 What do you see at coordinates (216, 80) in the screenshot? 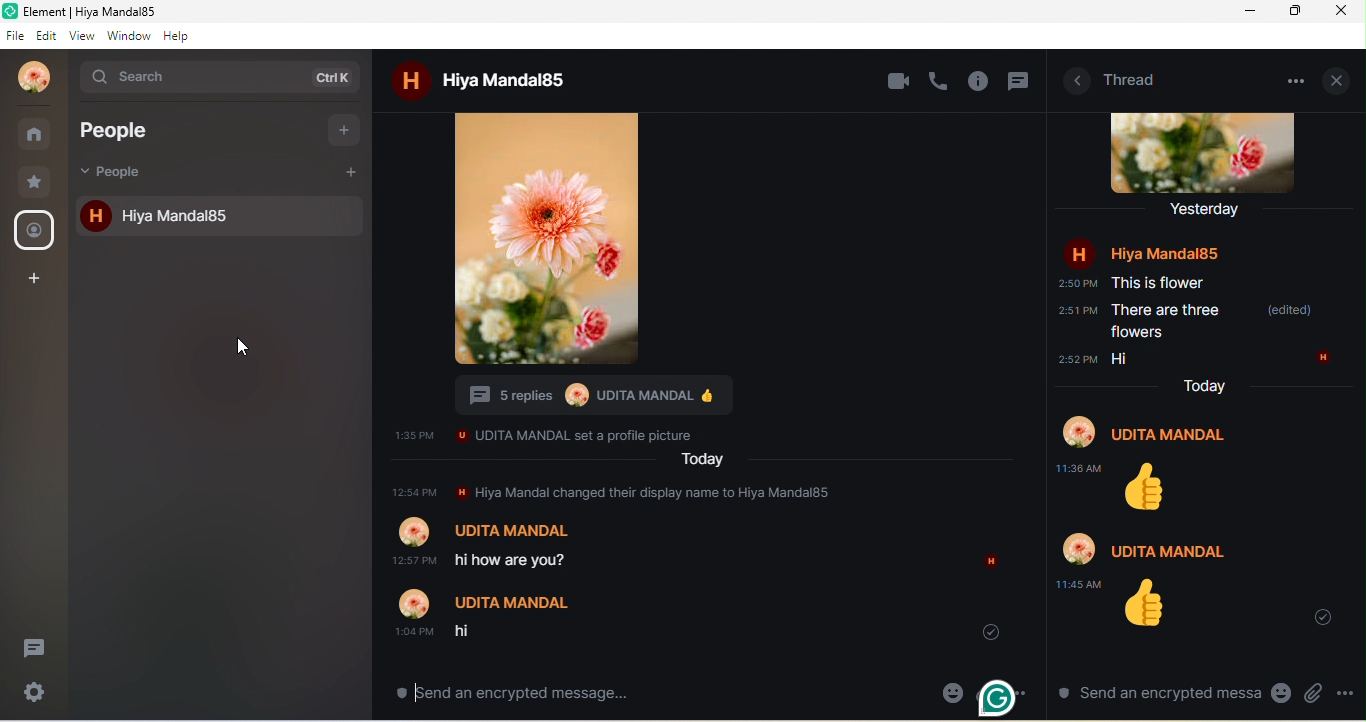
I see `search` at bounding box center [216, 80].